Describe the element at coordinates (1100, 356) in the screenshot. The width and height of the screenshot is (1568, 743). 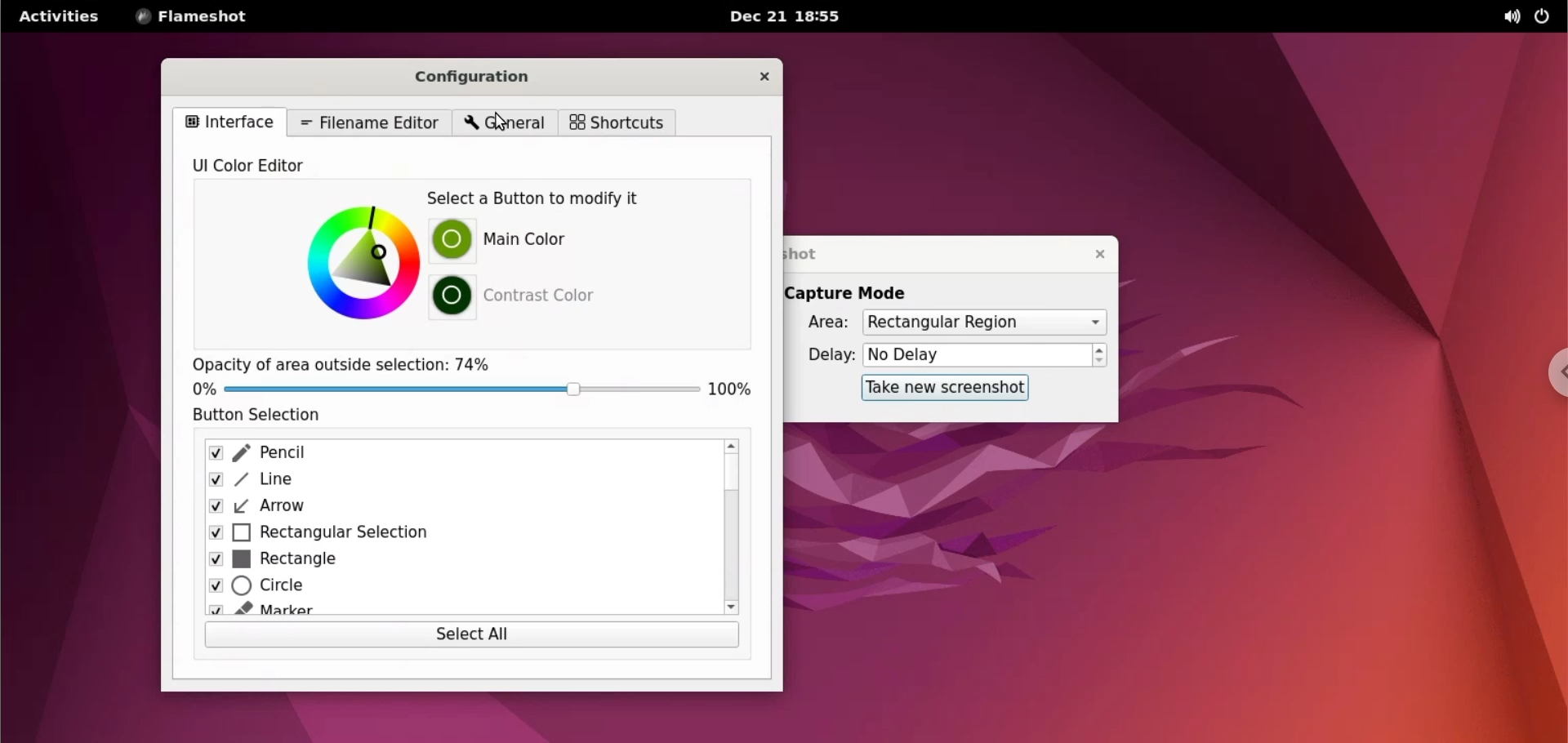
I see `increment or decrement delay` at that location.